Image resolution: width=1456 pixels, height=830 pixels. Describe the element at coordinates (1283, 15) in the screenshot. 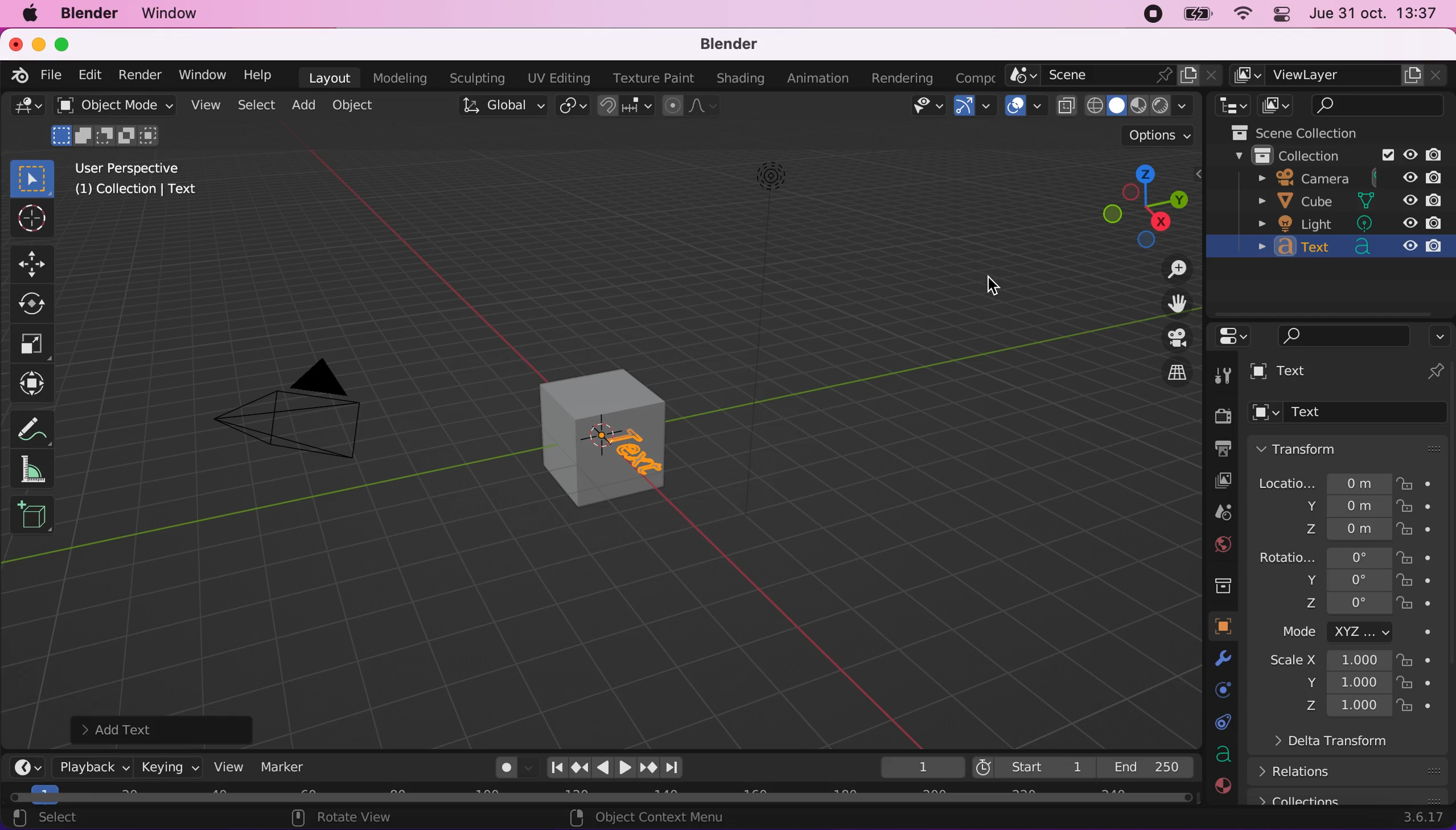

I see `panel control` at that location.